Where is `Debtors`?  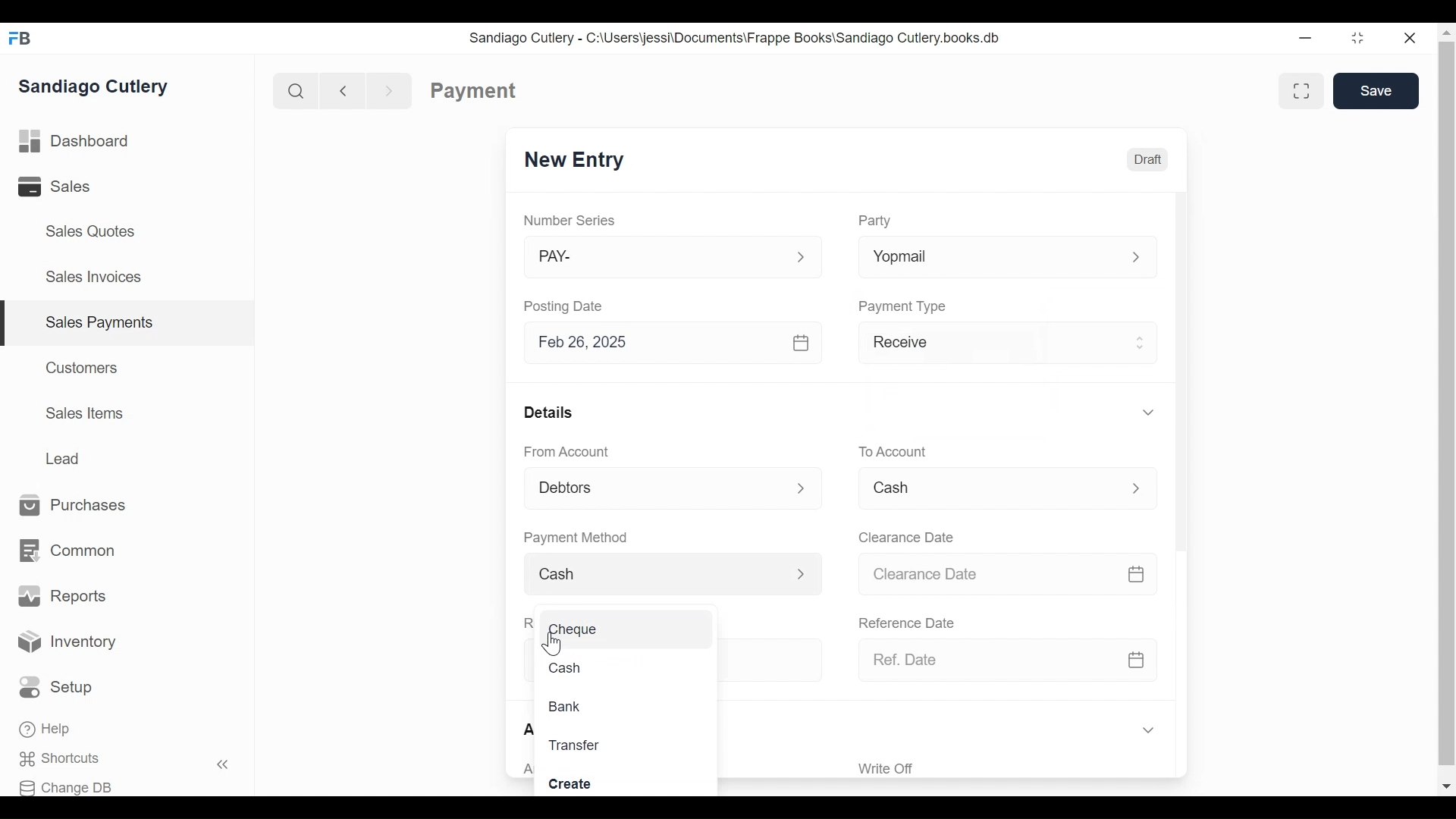
Debtors is located at coordinates (655, 487).